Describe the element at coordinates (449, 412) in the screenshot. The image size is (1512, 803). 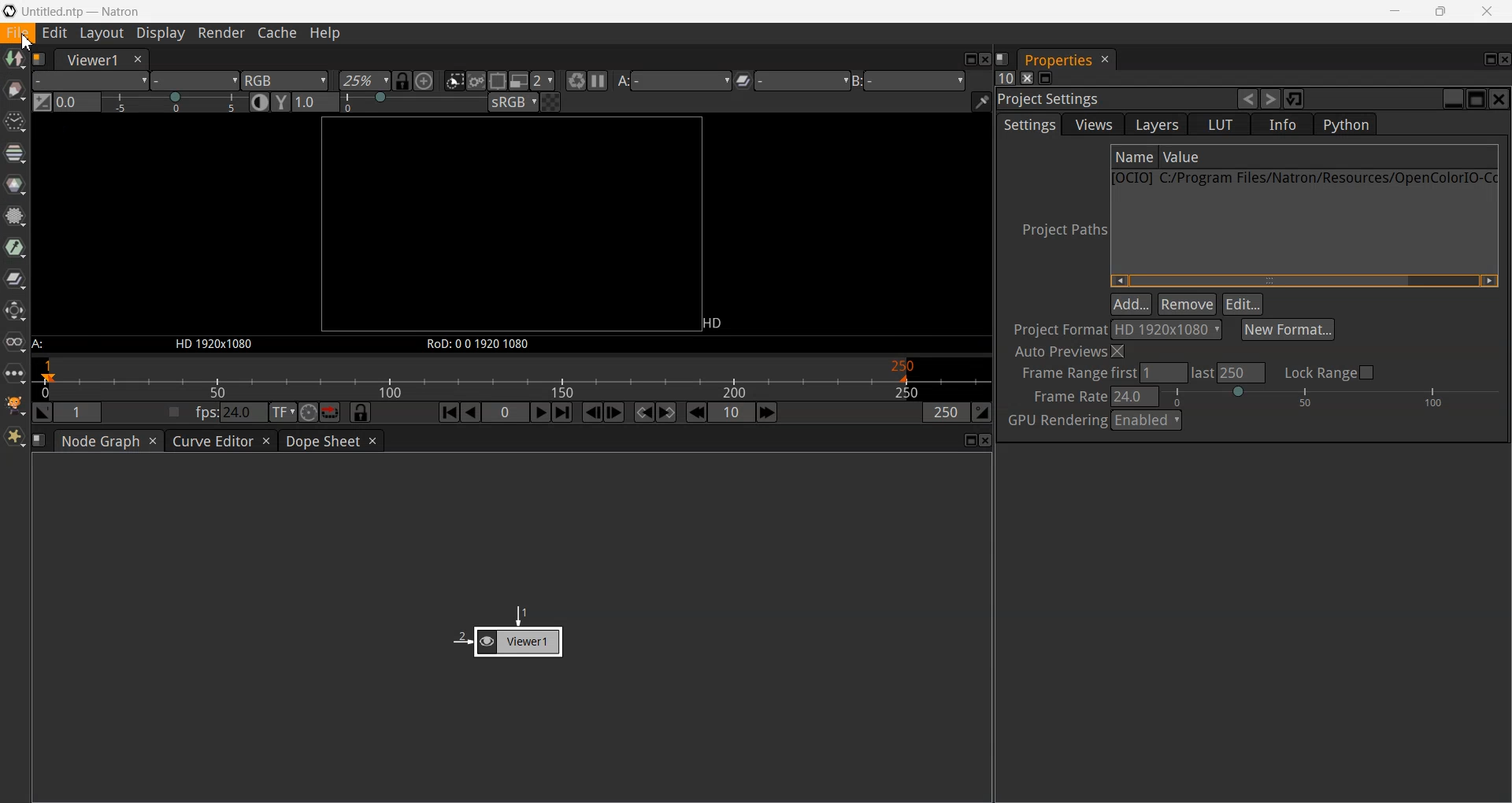
I see `First frame` at that location.